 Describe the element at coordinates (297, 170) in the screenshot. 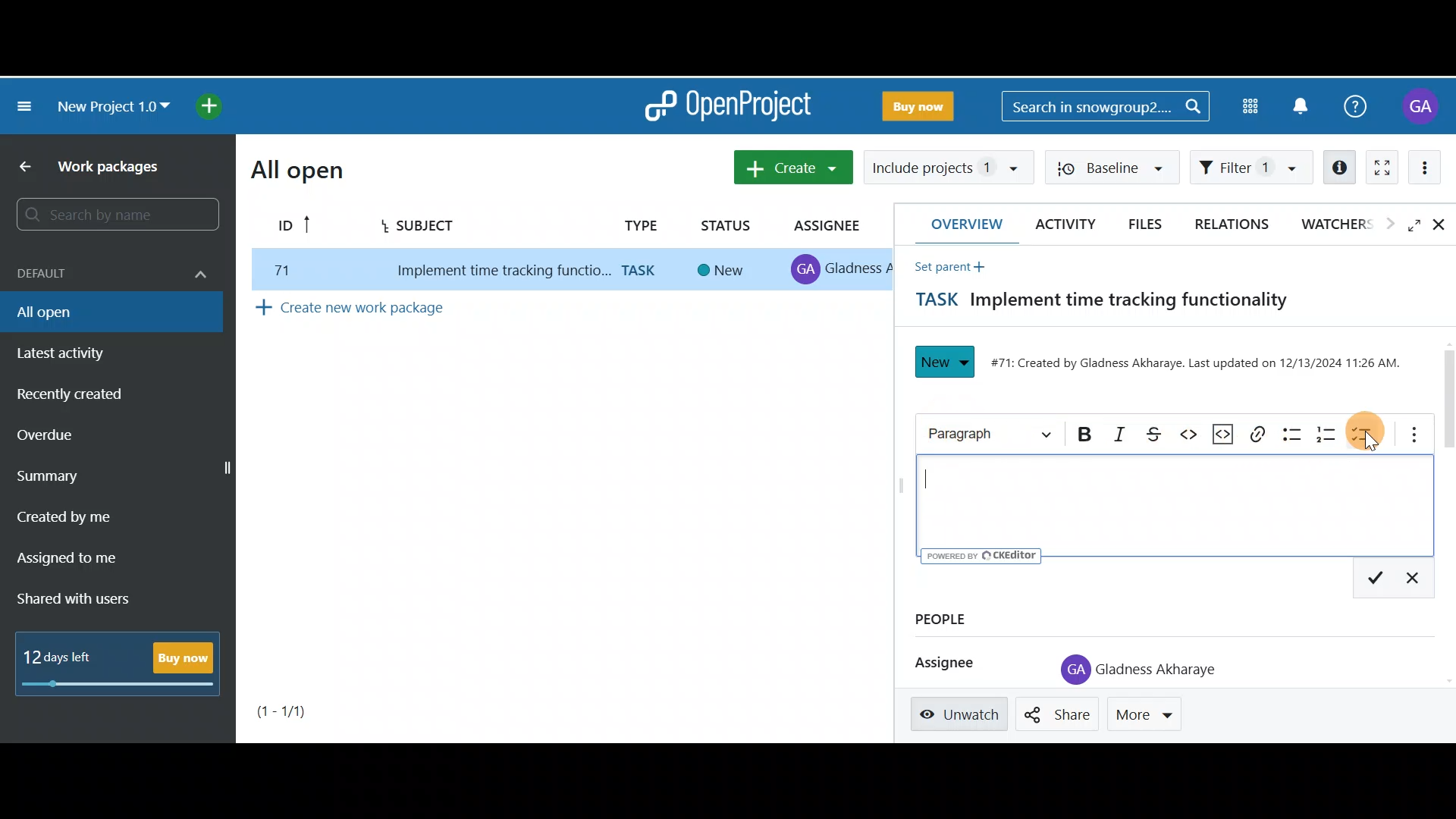

I see `All open` at that location.